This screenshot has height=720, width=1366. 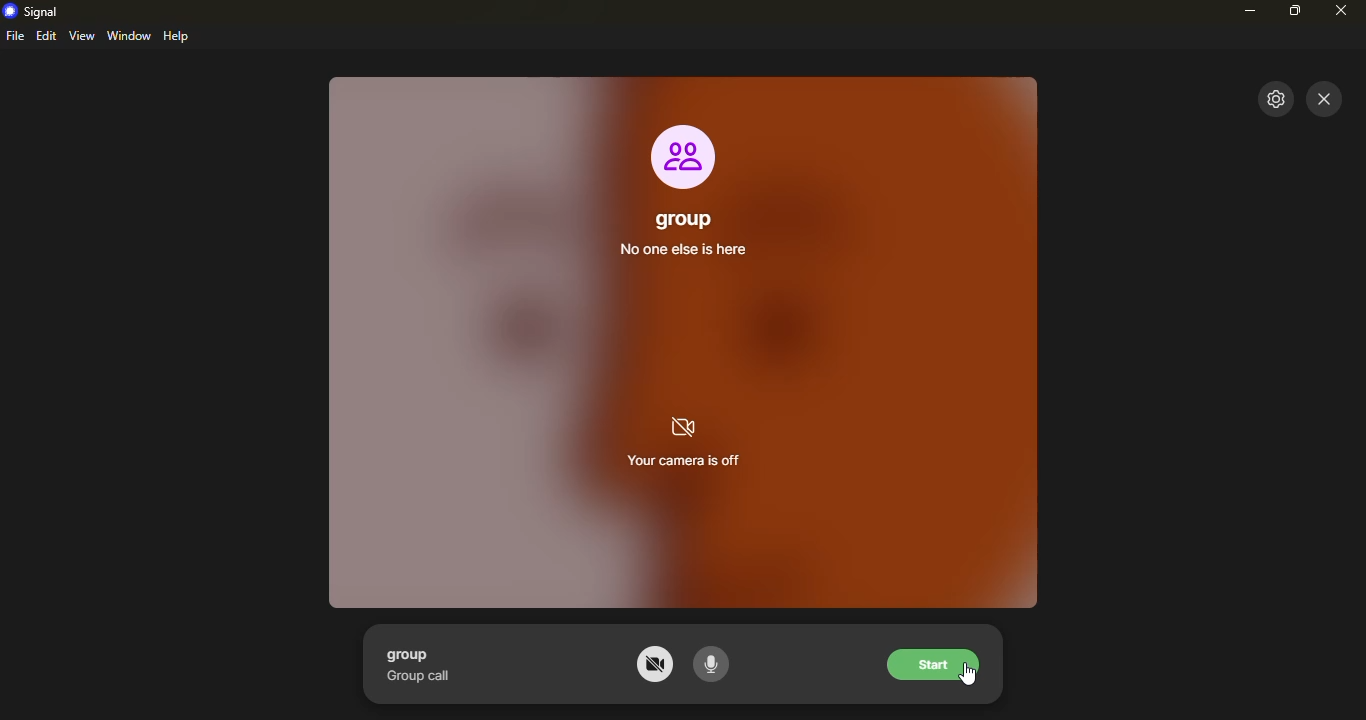 What do you see at coordinates (1327, 100) in the screenshot?
I see `close` at bounding box center [1327, 100].